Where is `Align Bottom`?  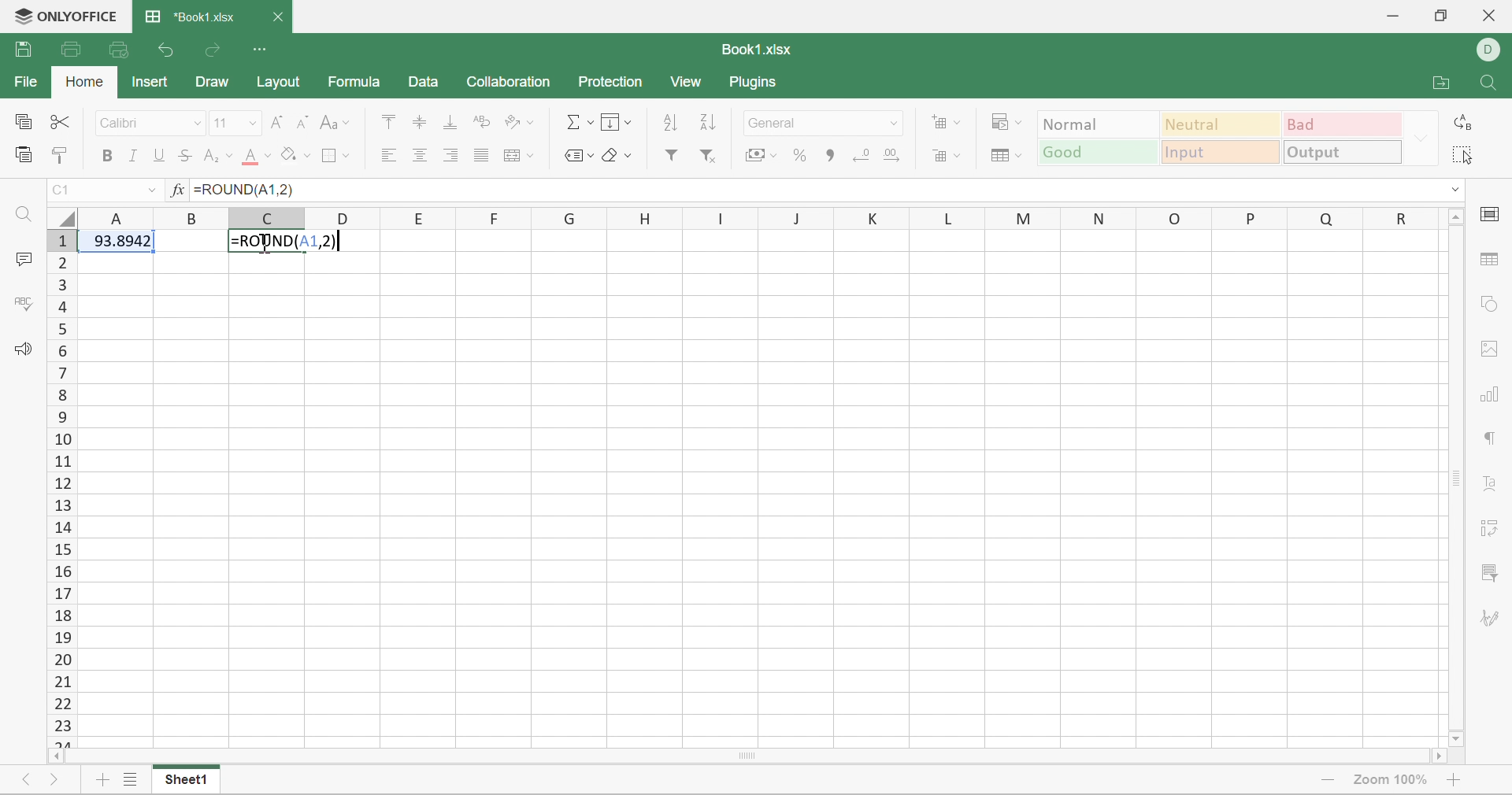
Align Bottom is located at coordinates (450, 122).